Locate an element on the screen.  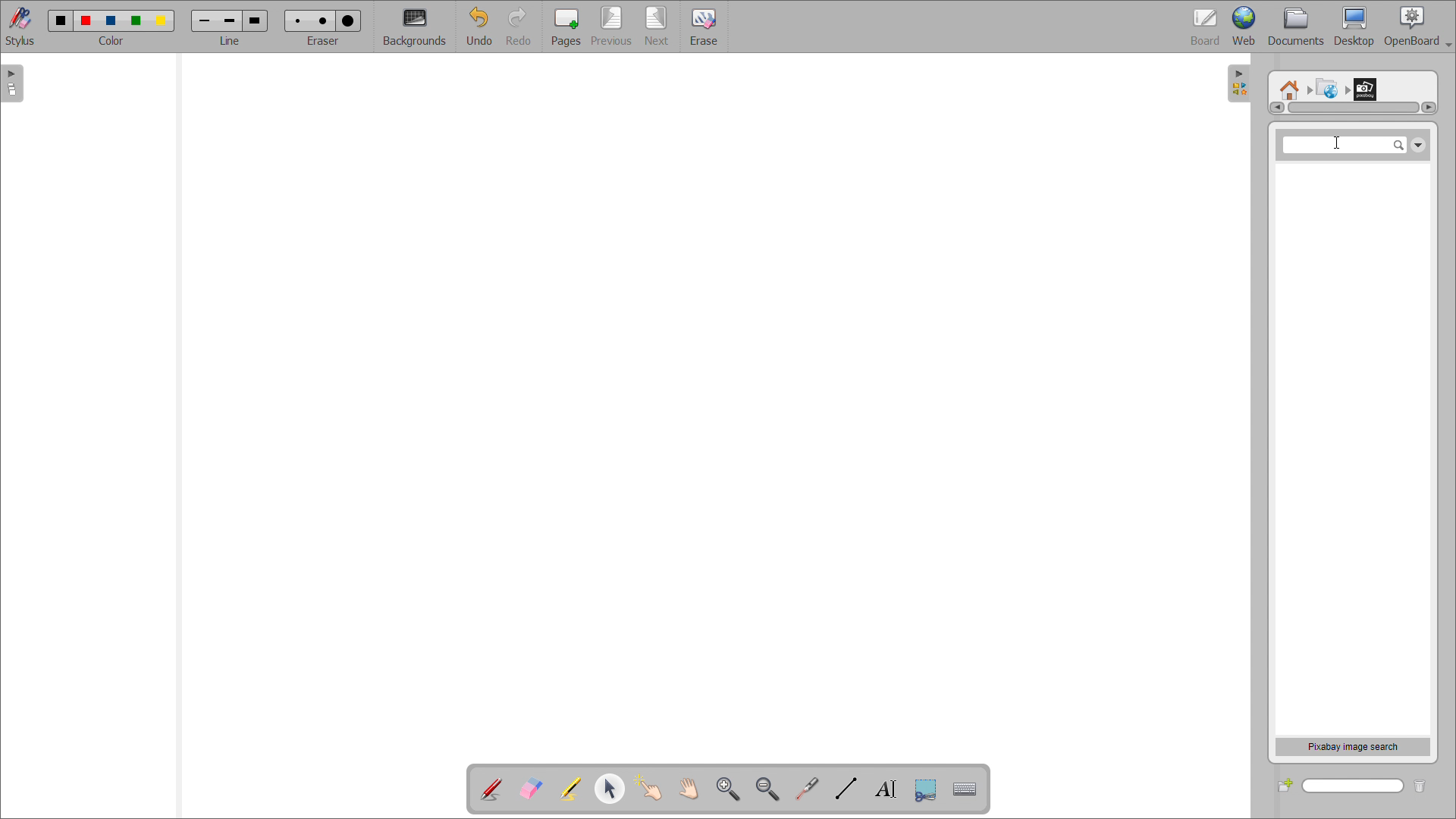
erase is located at coordinates (703, 26).